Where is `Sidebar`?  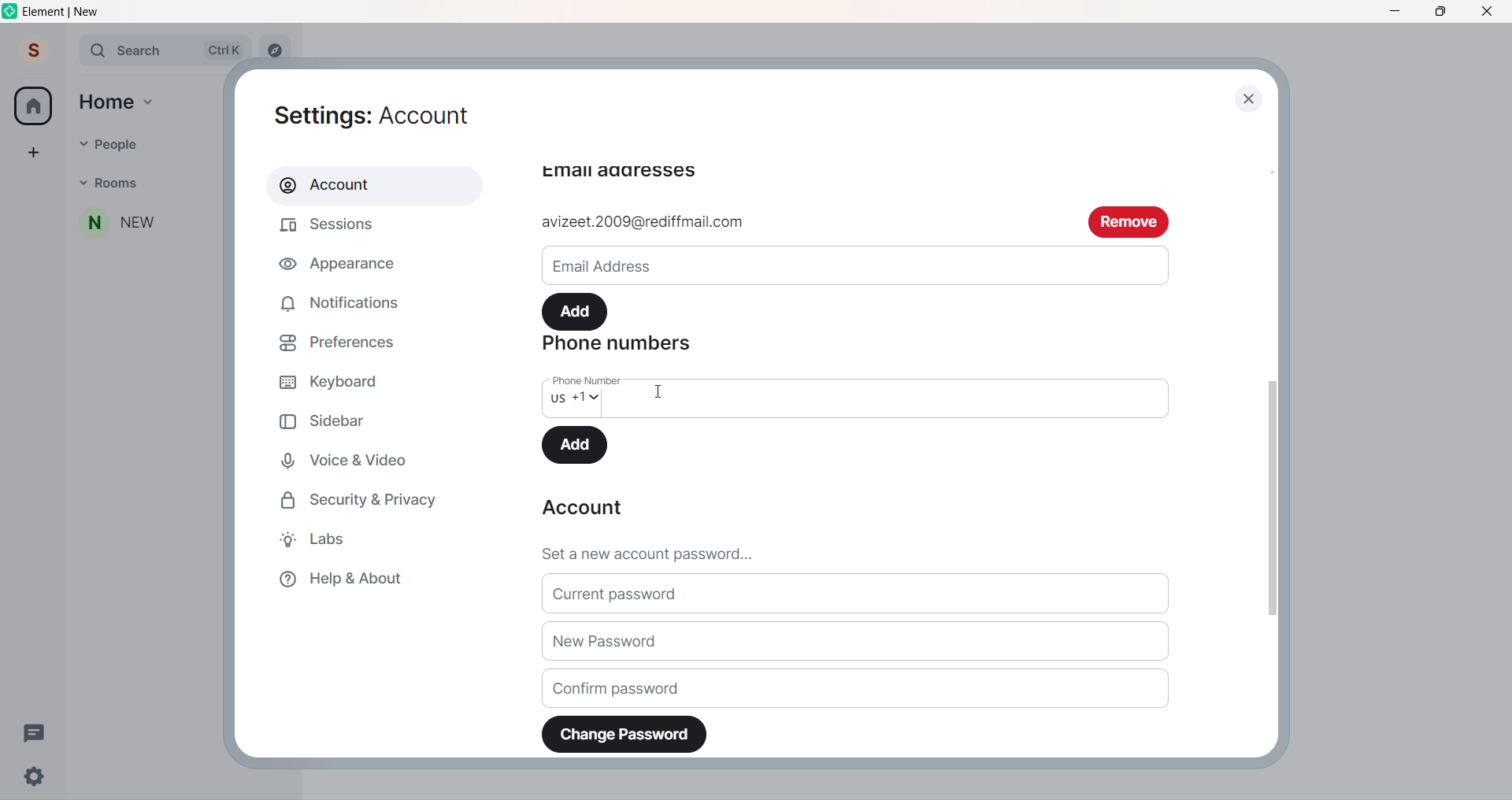 Sidebar is located at coordinates (325, 419).